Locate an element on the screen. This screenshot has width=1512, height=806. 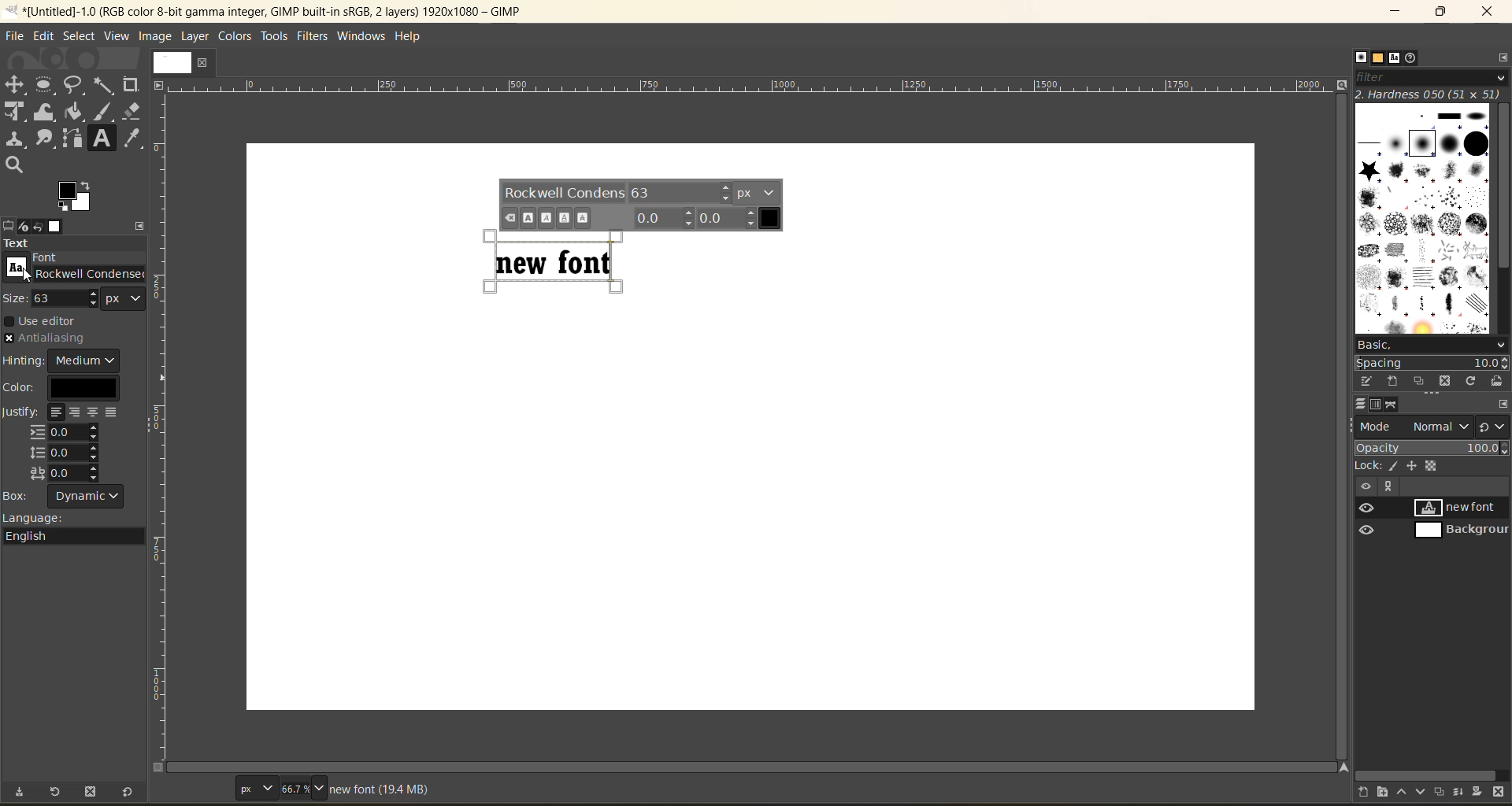
spacing is located at coordinates (1430, 363).